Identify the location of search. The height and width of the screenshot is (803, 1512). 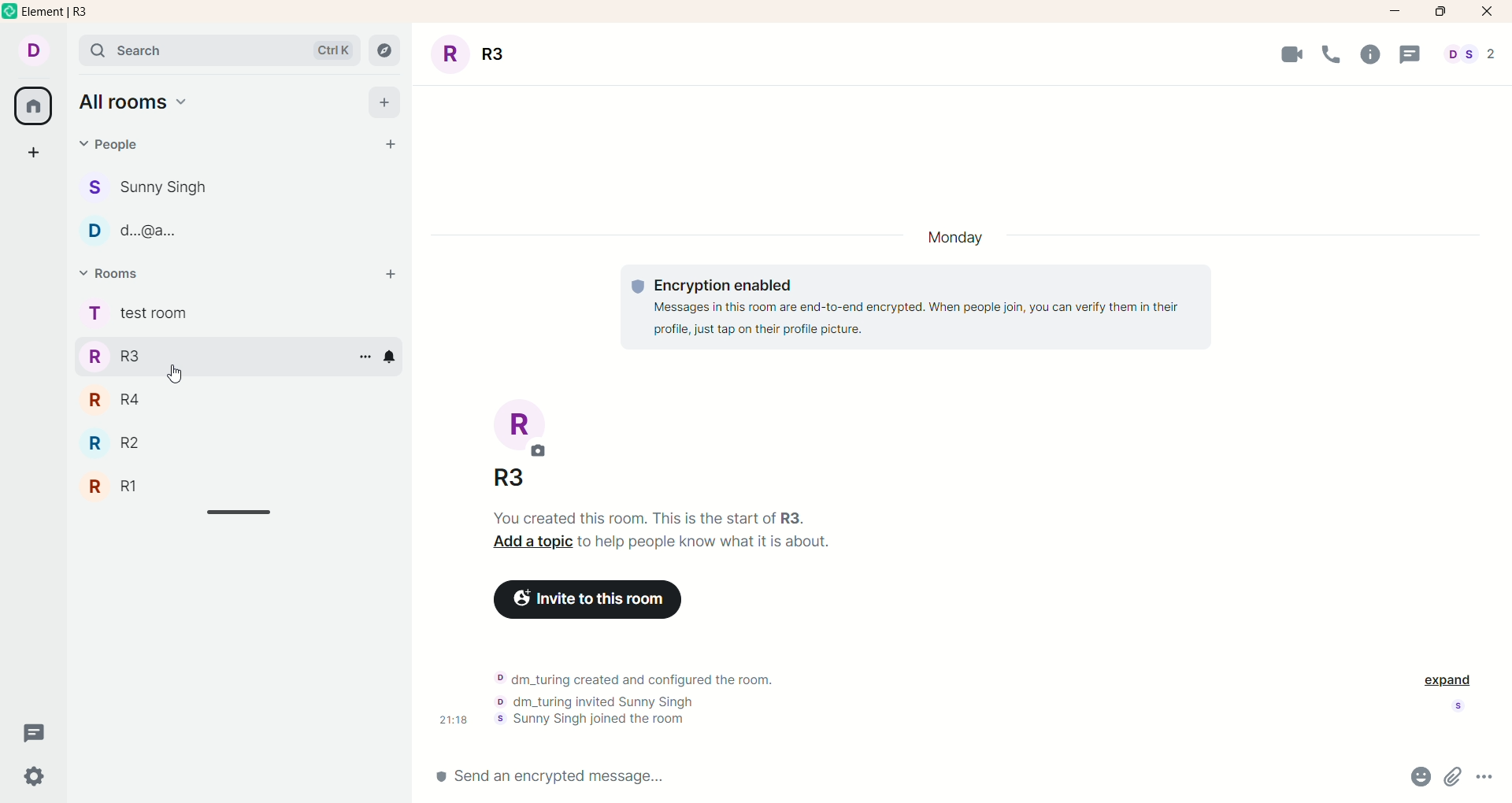
(219, 52).